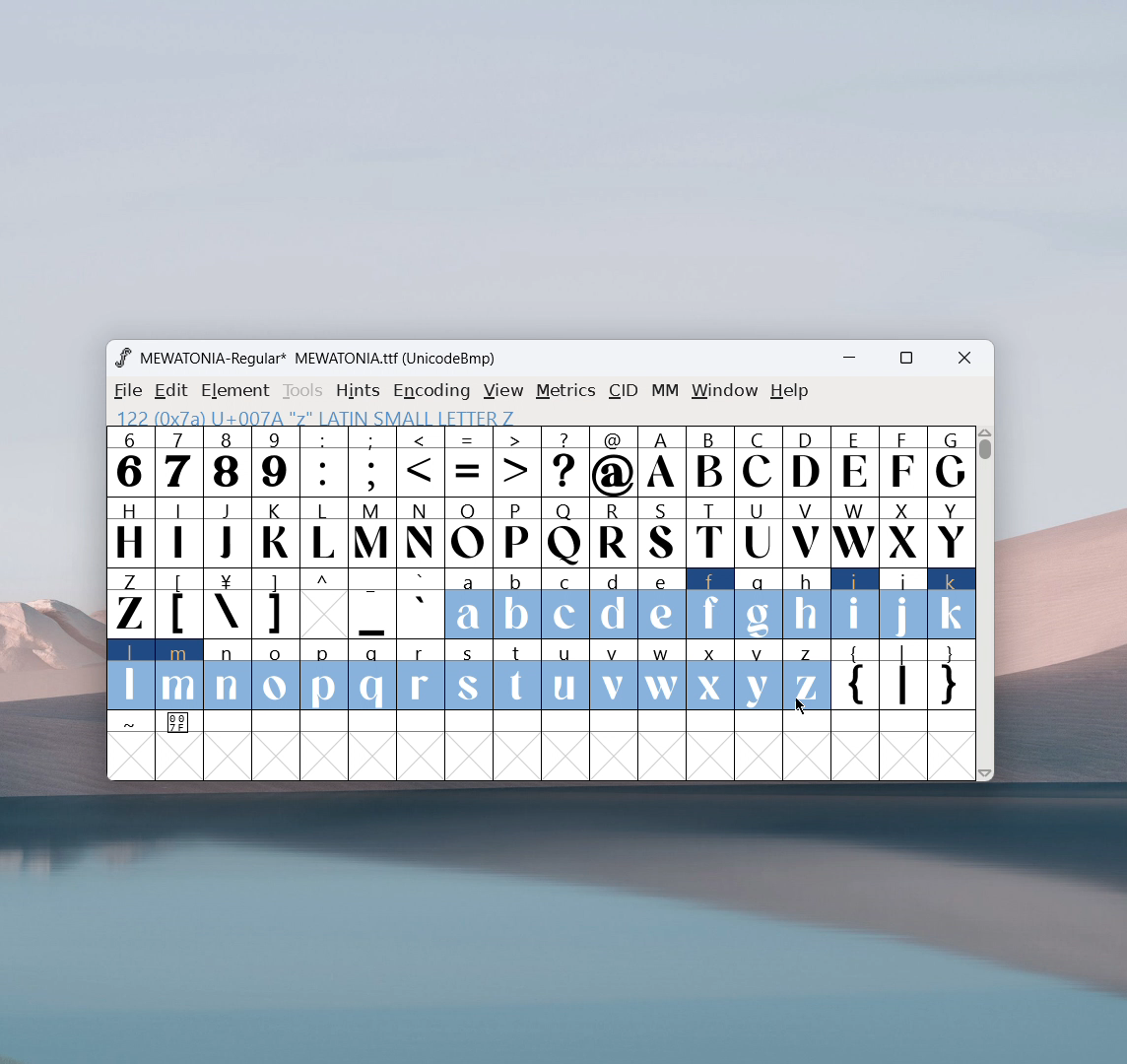 This screenshot has width=1127, height=1064. What do you see at coordinates (518, 676) in the screenshot?
I see `t` at bounding box center [518, 676].